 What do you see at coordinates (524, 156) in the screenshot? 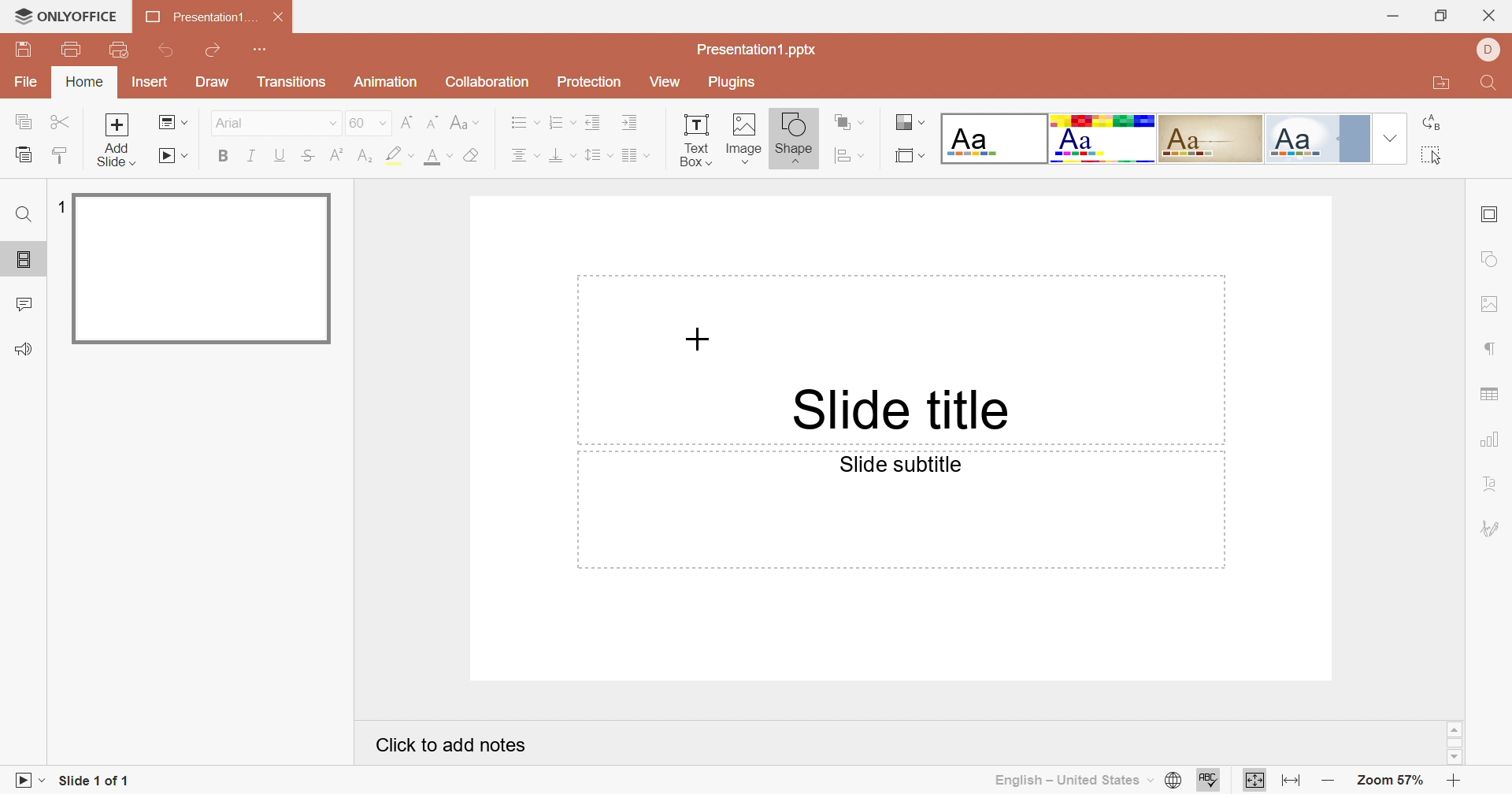
I see `Horizontal align` at bounding box center [524, 156].